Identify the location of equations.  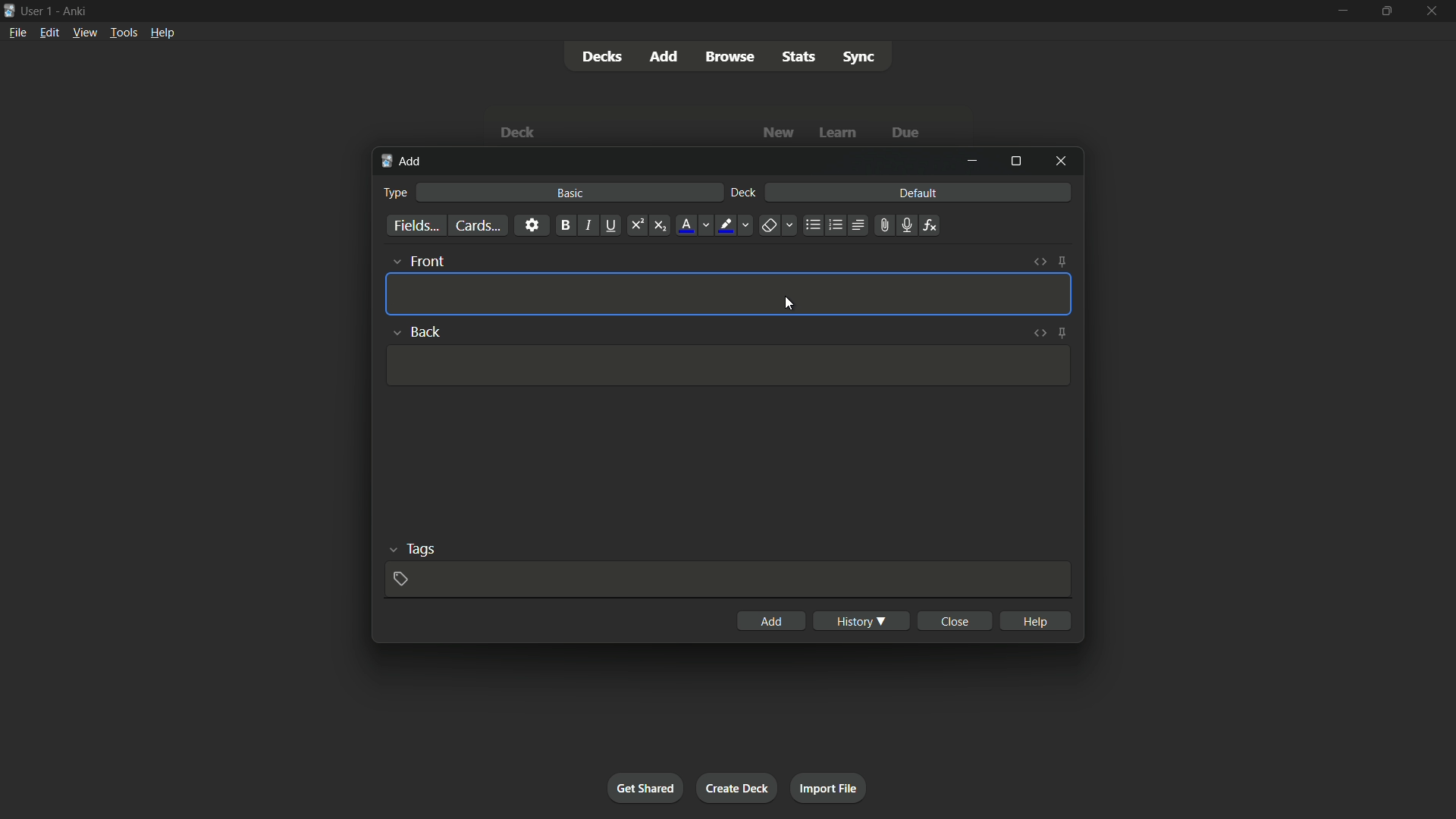
(930, 225).